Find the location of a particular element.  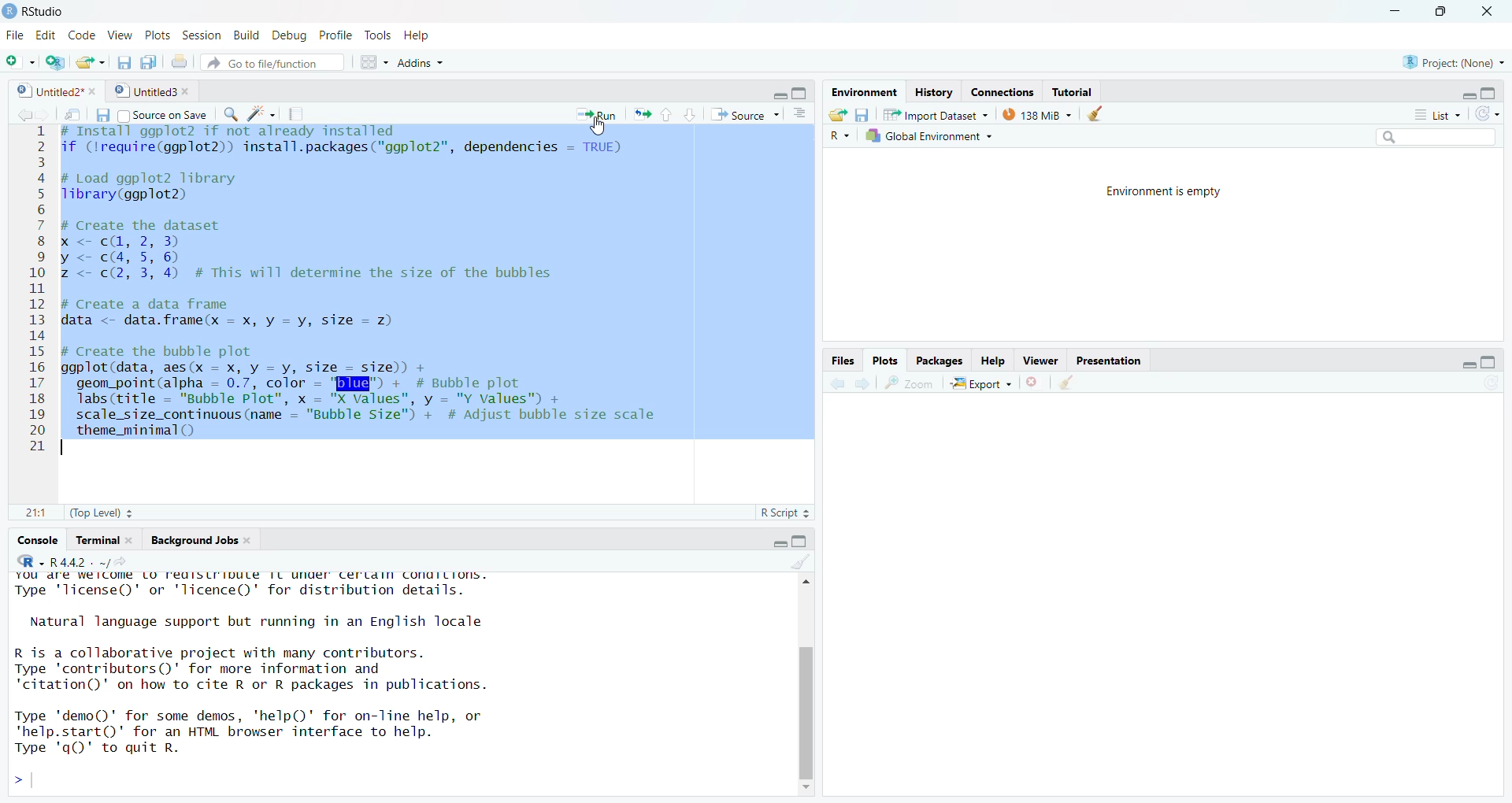

Load workspaces is located at coordinates (840, 114).